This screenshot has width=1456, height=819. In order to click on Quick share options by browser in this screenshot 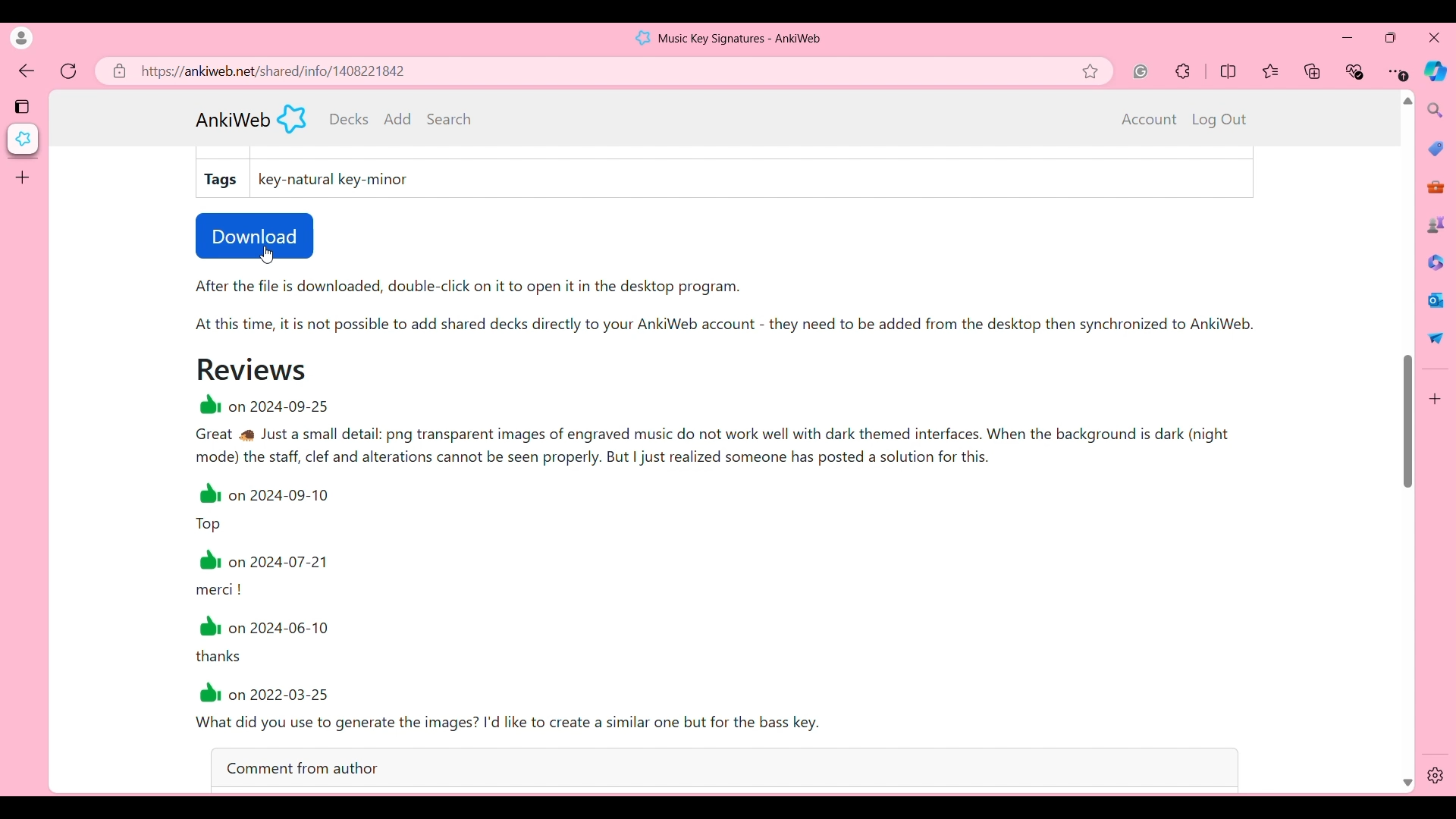, I will do `click(1436, 337)`.